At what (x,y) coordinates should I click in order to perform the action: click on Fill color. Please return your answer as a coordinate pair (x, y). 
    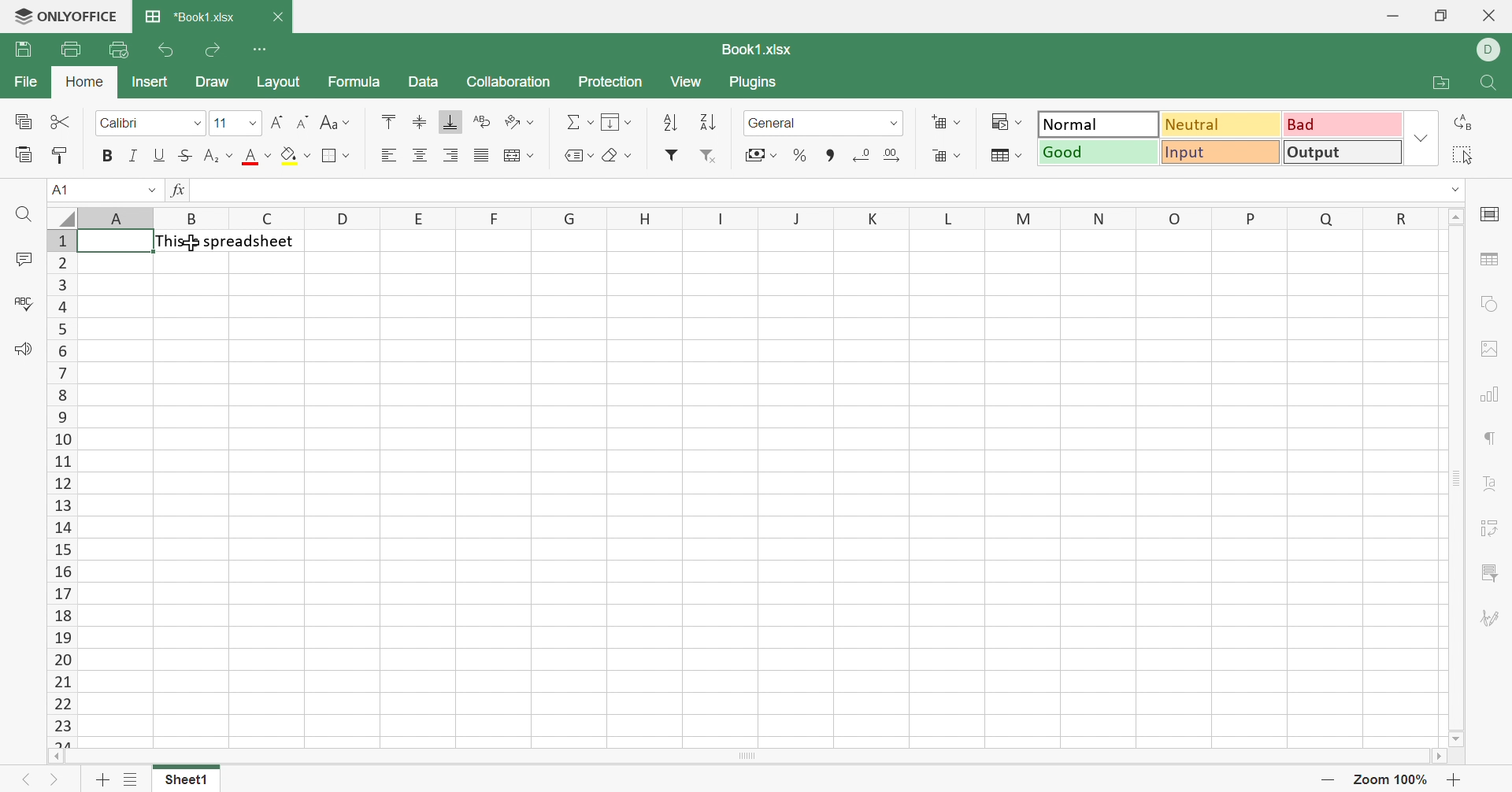
    Looking at the image, I should click on (291, 157).